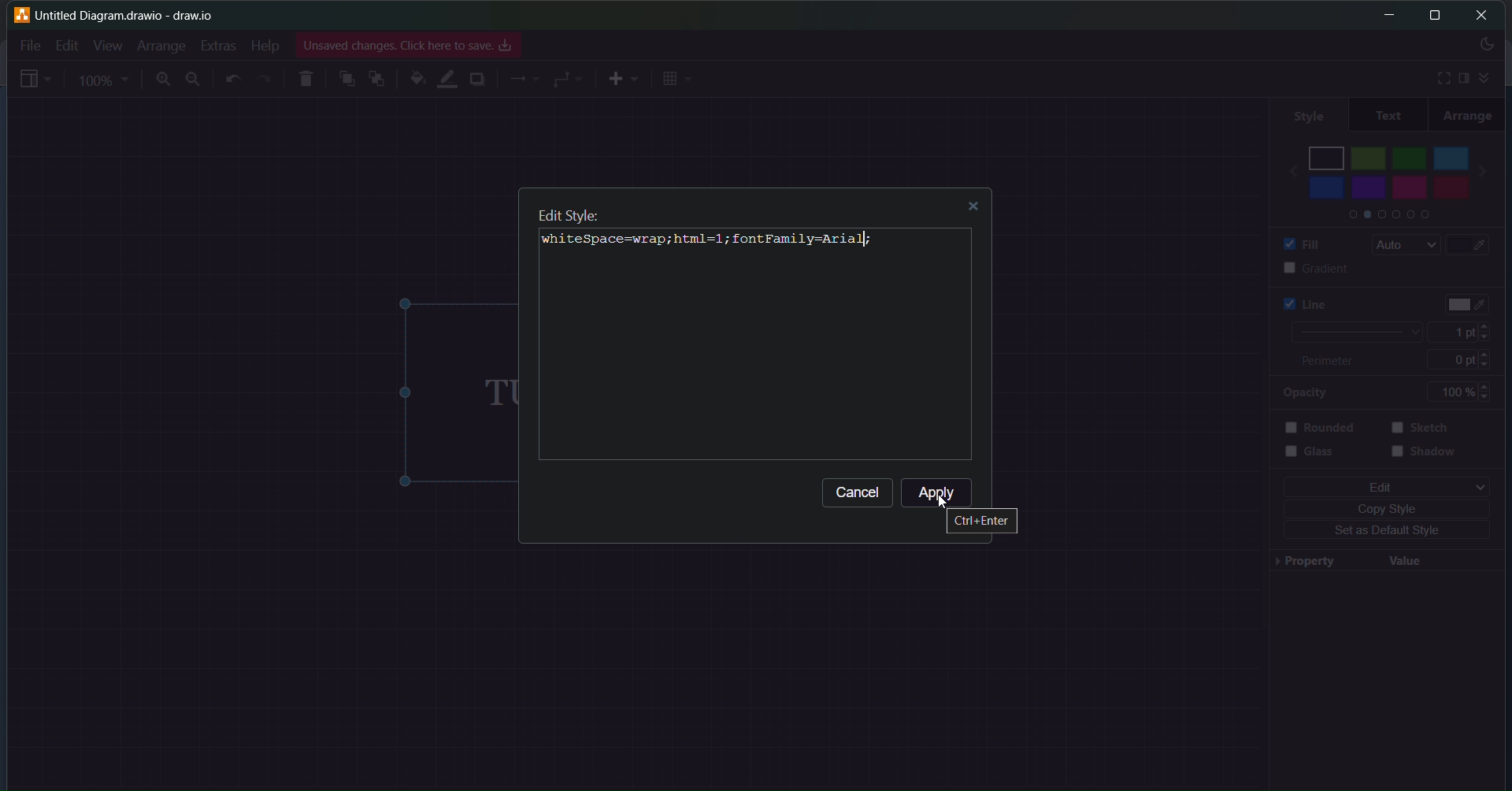 The width and height of the screenshot is (1512, 791). I want to click on 0pt, so click(1471, 358).